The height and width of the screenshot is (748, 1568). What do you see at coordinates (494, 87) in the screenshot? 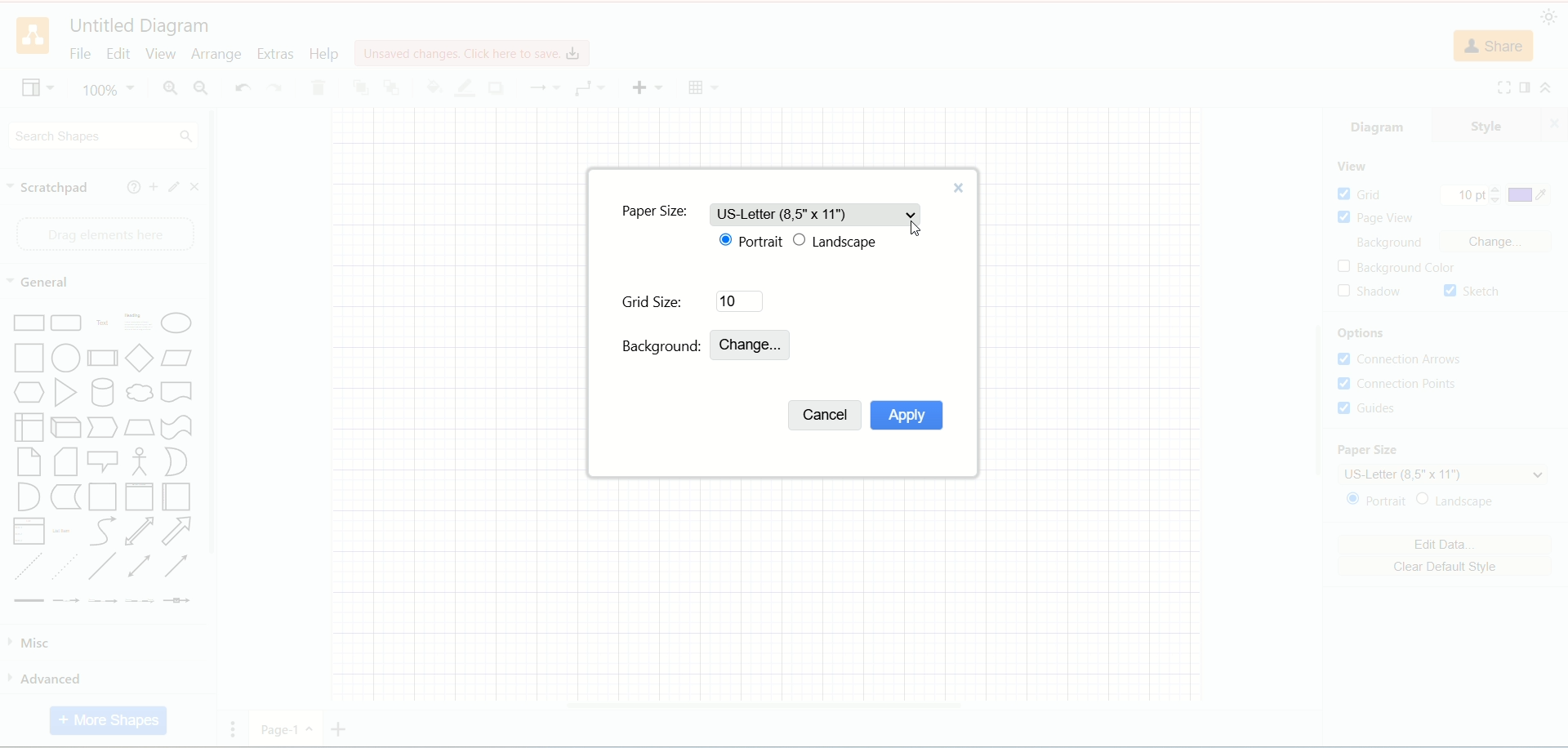
I see `shadow` at bounding box center [494, 87].